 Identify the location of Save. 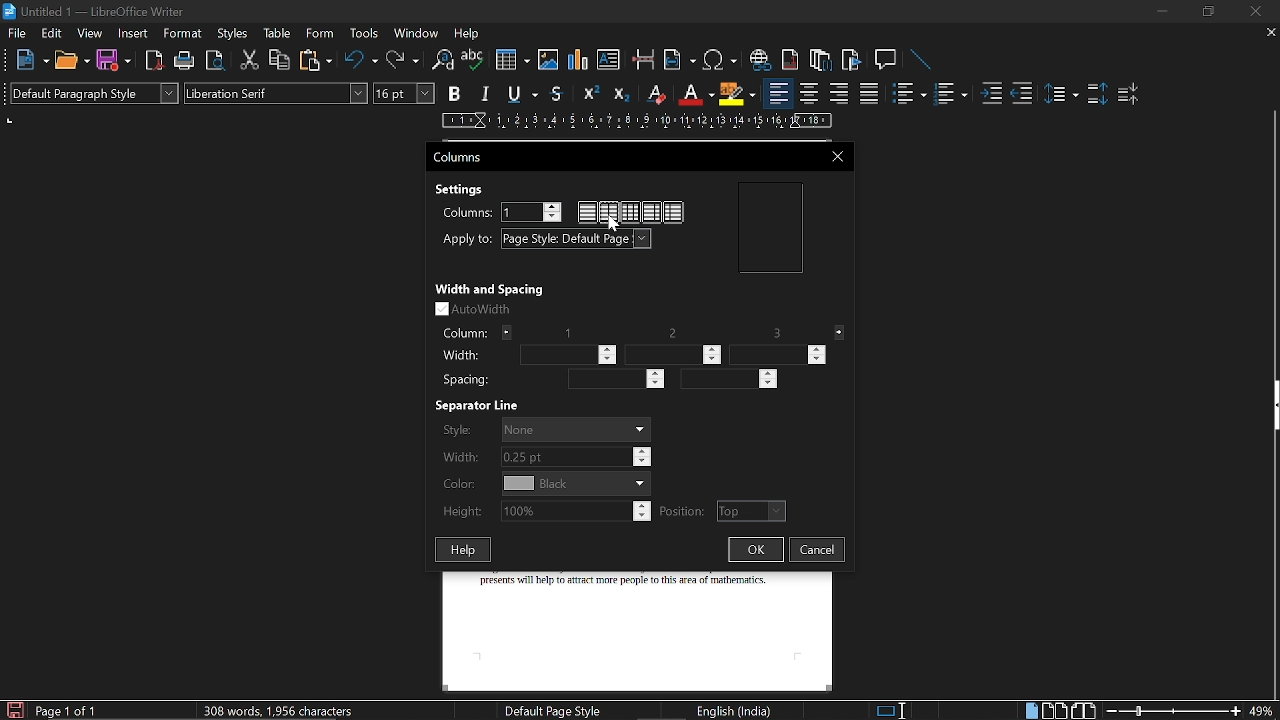
(114, 63).